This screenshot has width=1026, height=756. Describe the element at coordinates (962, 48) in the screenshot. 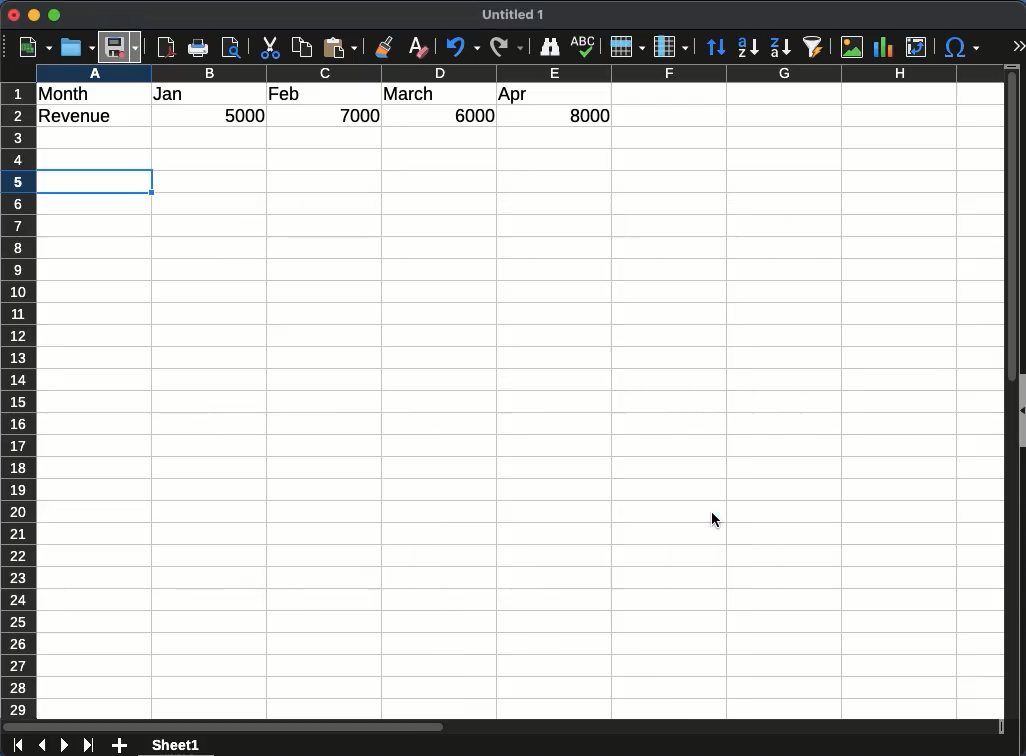

I see `special characters` at that location.